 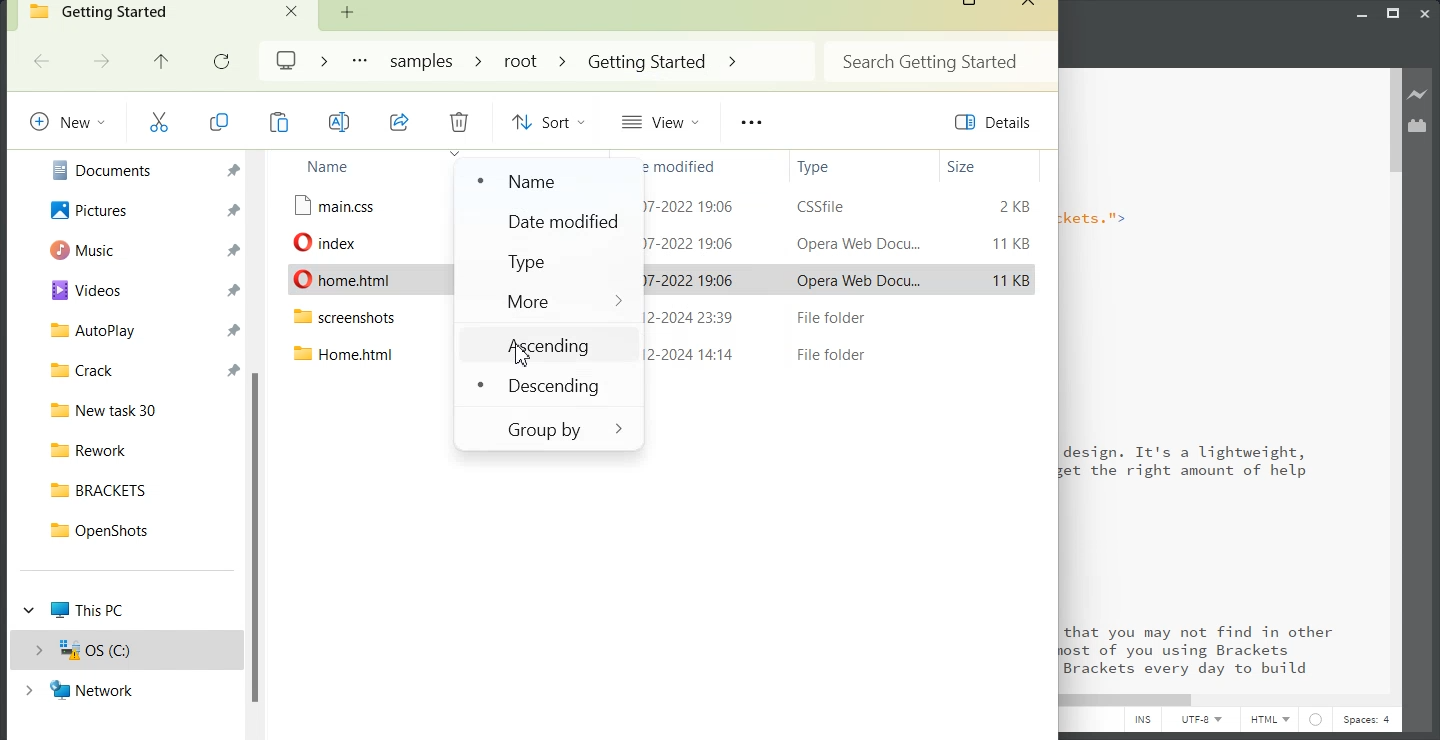 I want to click on Opera Web Document, so click(x=856, y=242).